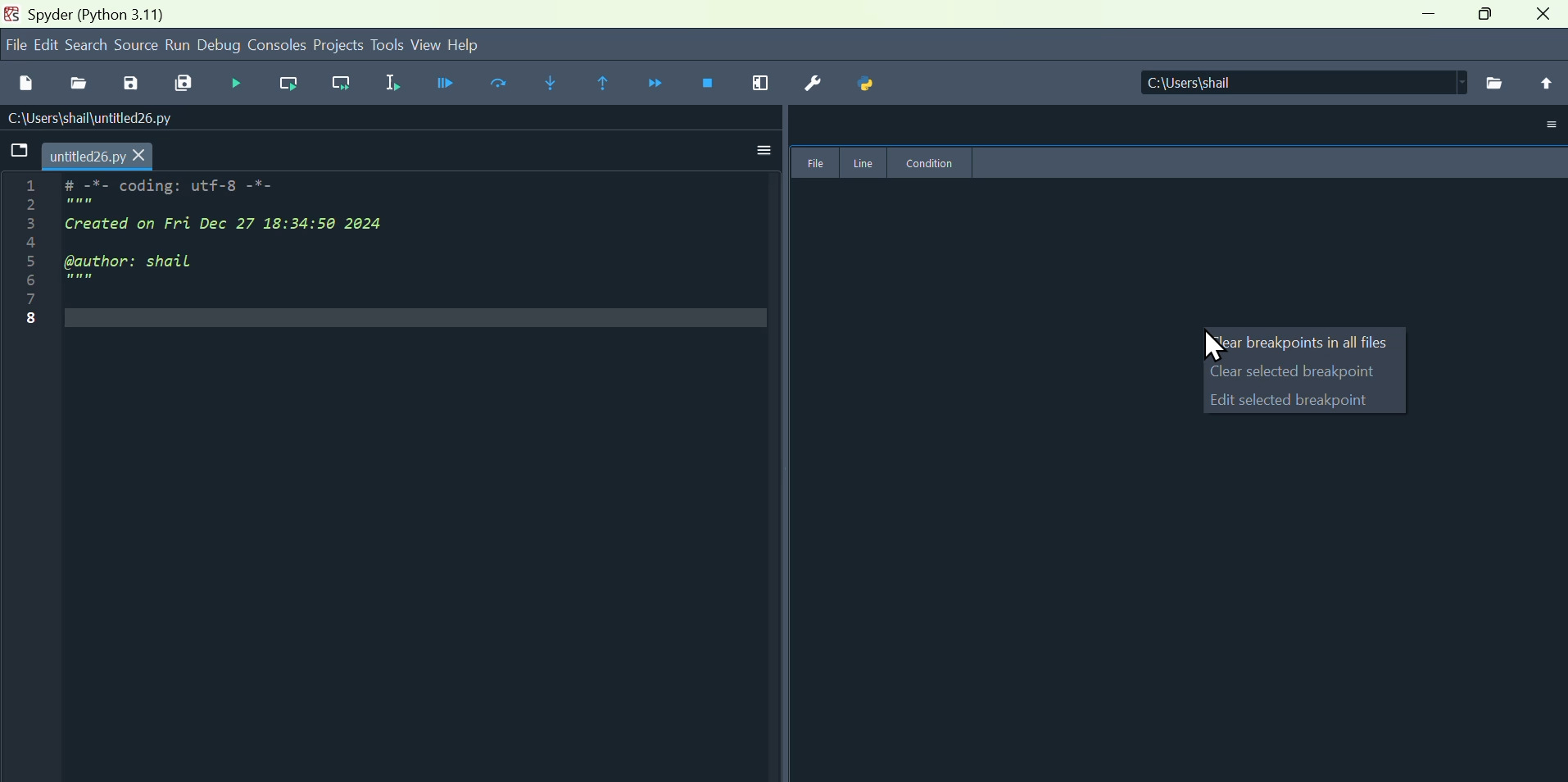 The width and height of the screenshot is (1568, 782). Describe the element at coordinates (1495, 81) in the screenshot. I see `Browse` at that location.